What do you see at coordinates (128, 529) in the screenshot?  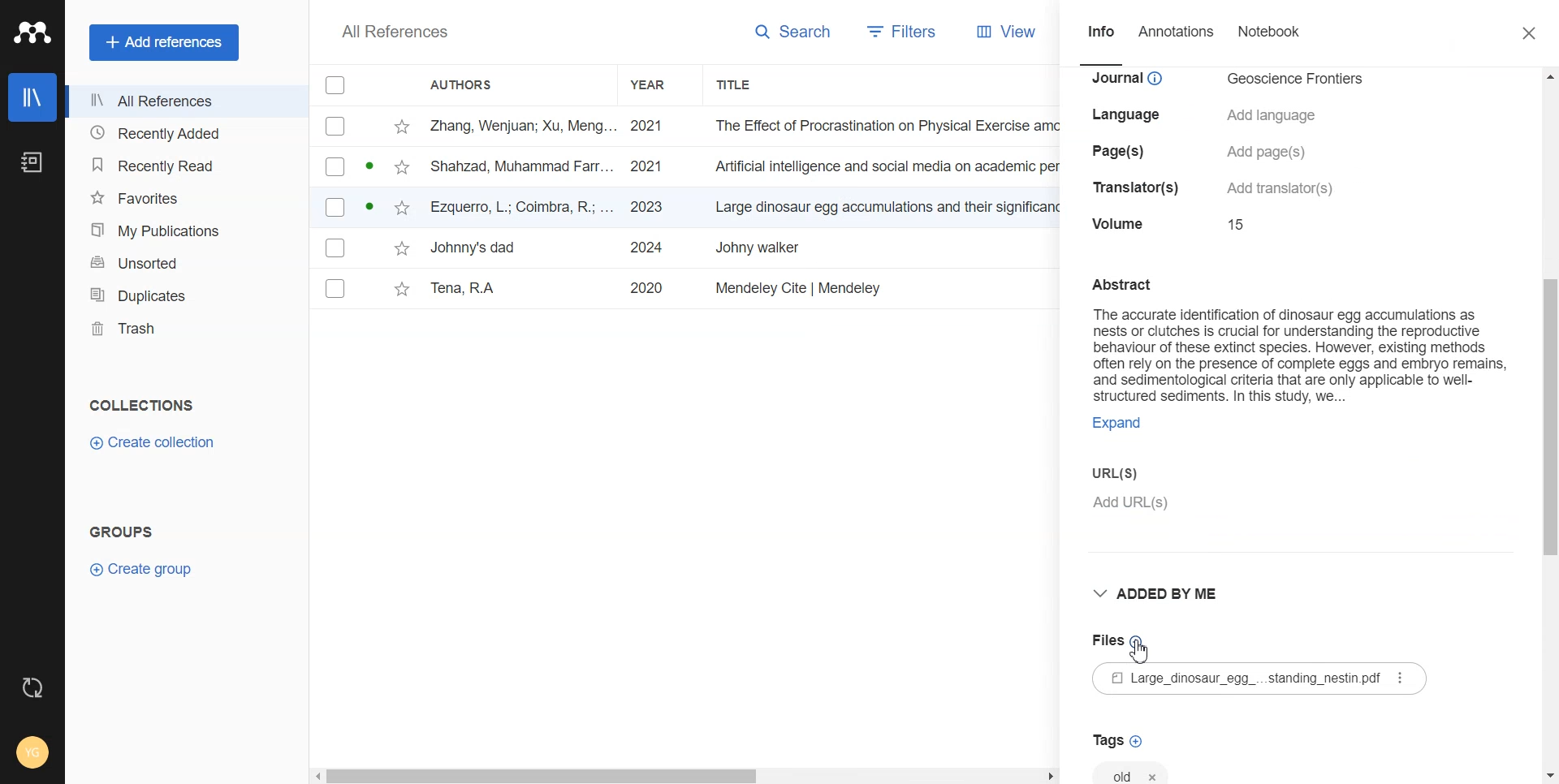 I see `Text` at bounding box center [128, 529].